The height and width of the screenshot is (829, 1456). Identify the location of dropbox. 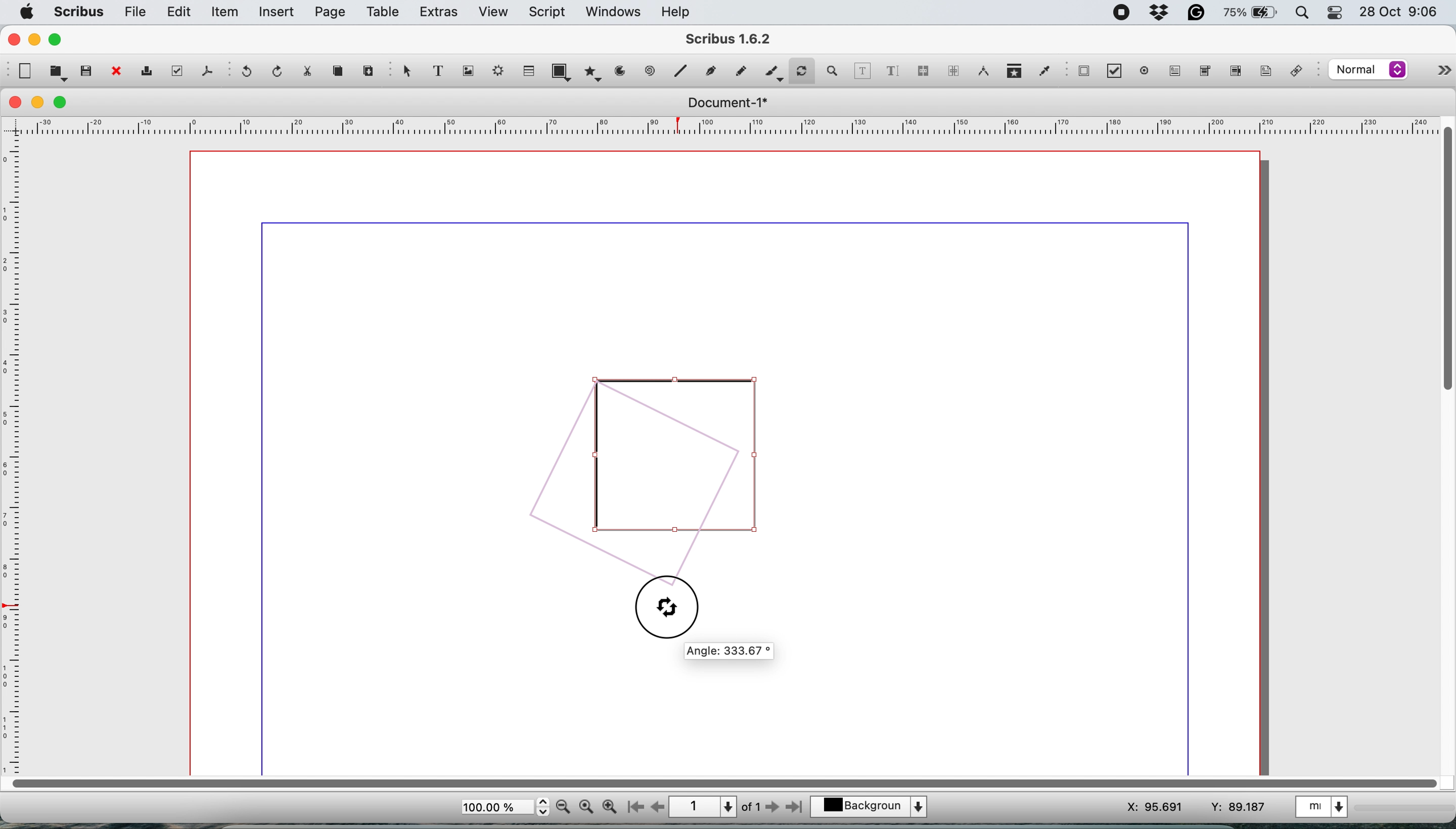
(1160, 13).